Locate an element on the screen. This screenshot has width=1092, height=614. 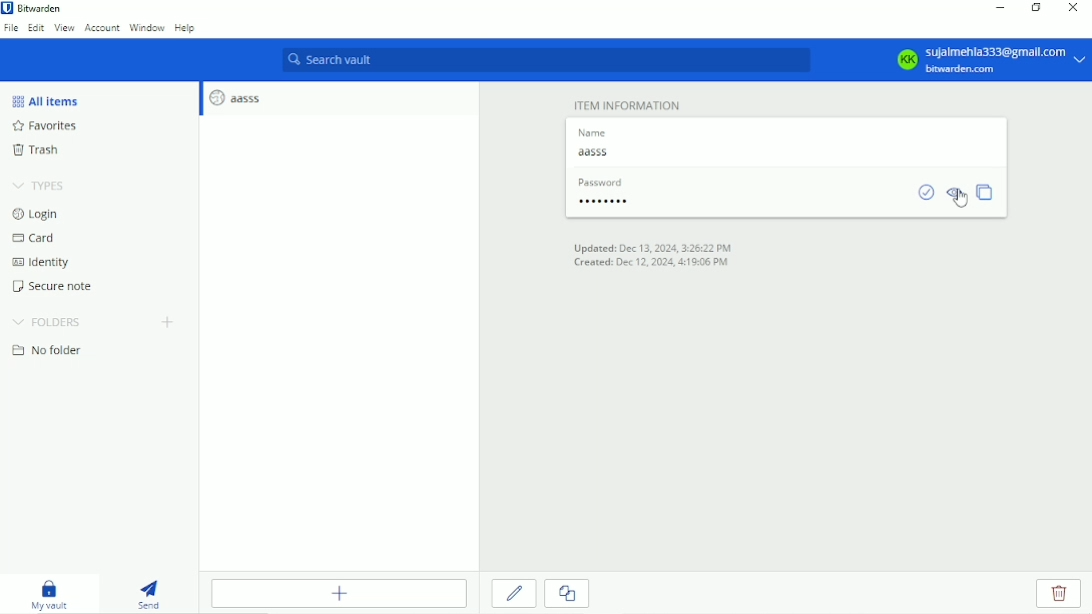
All items is located at coordinates (45, 99).